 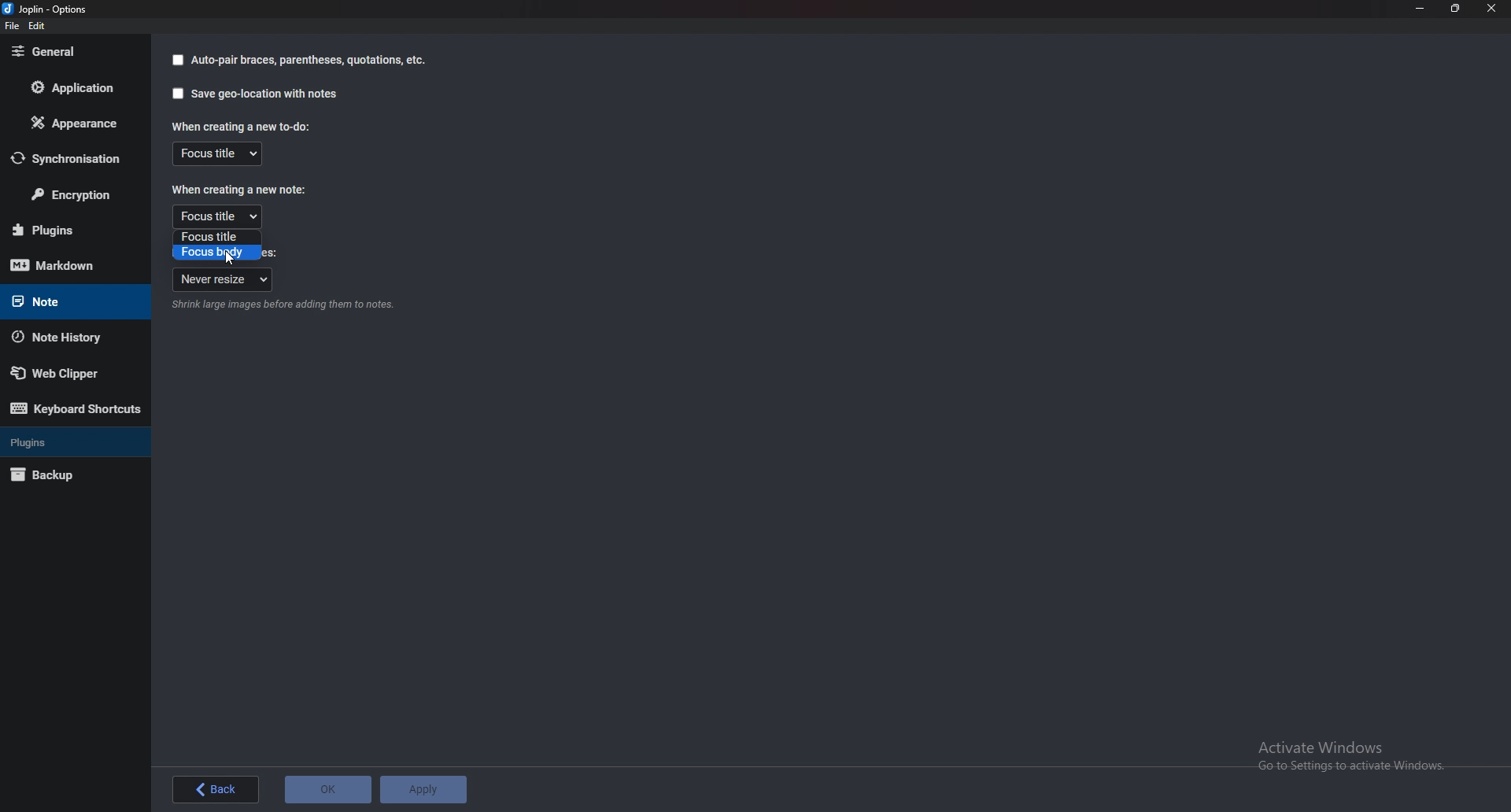 I want to click on When creating a new todo, so click(x=238, y=126).